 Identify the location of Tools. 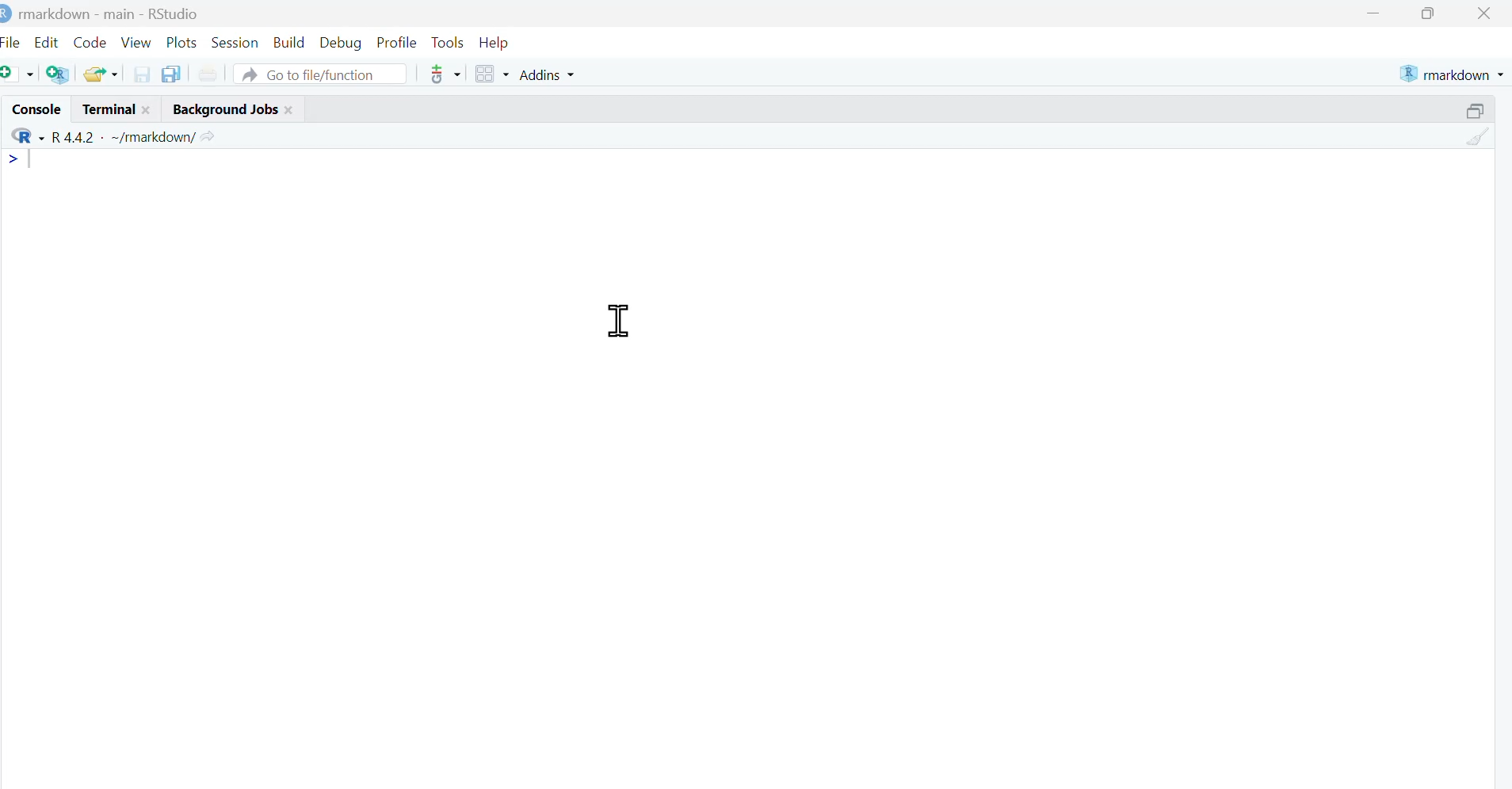
(447, 40).